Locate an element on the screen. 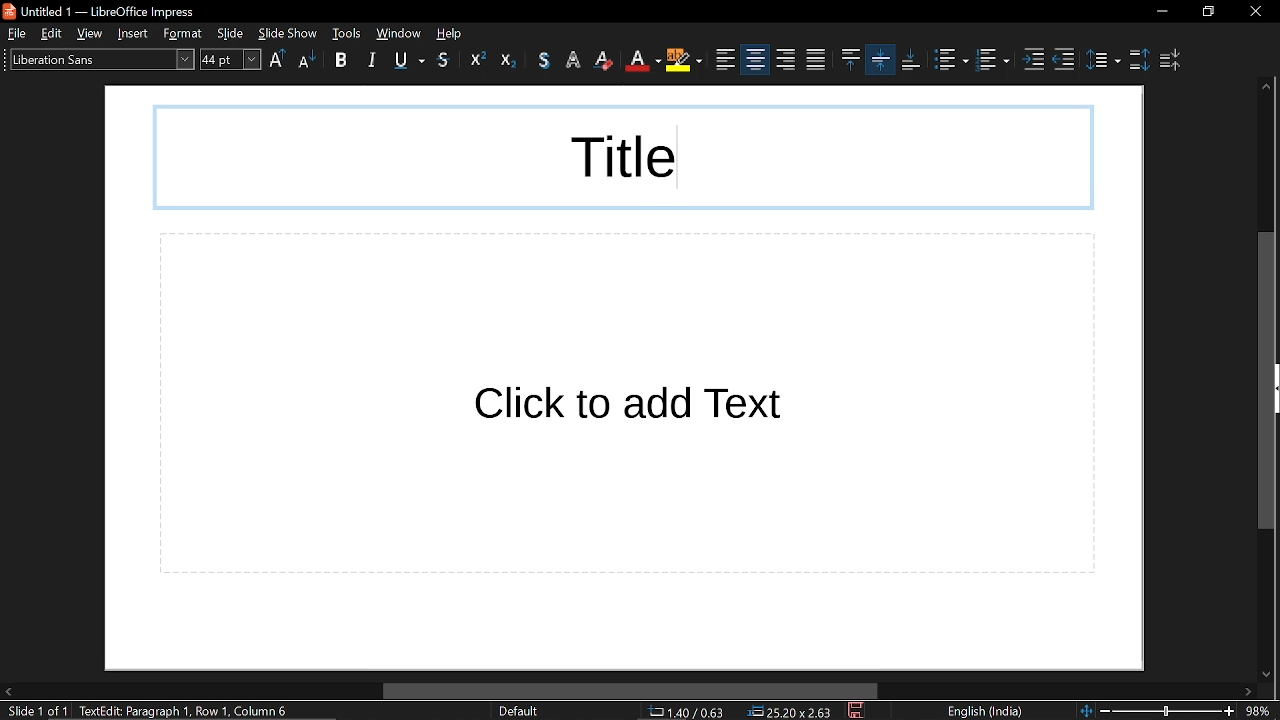 The height and width of the screenshot is (720, 1280). language is located at coordinates (983, 712).